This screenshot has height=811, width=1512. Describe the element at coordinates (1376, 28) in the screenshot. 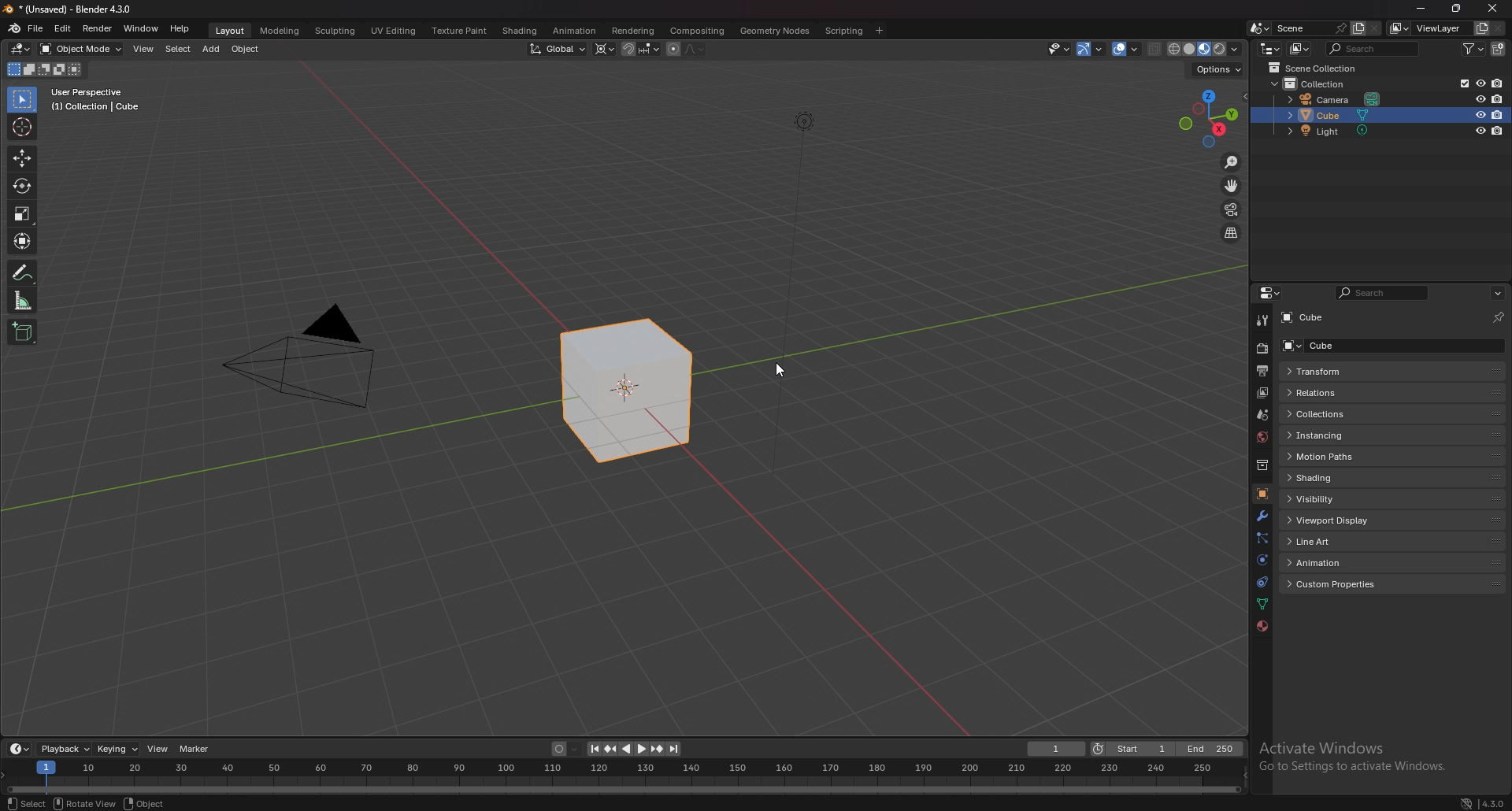

I see `delete scene` at that location.